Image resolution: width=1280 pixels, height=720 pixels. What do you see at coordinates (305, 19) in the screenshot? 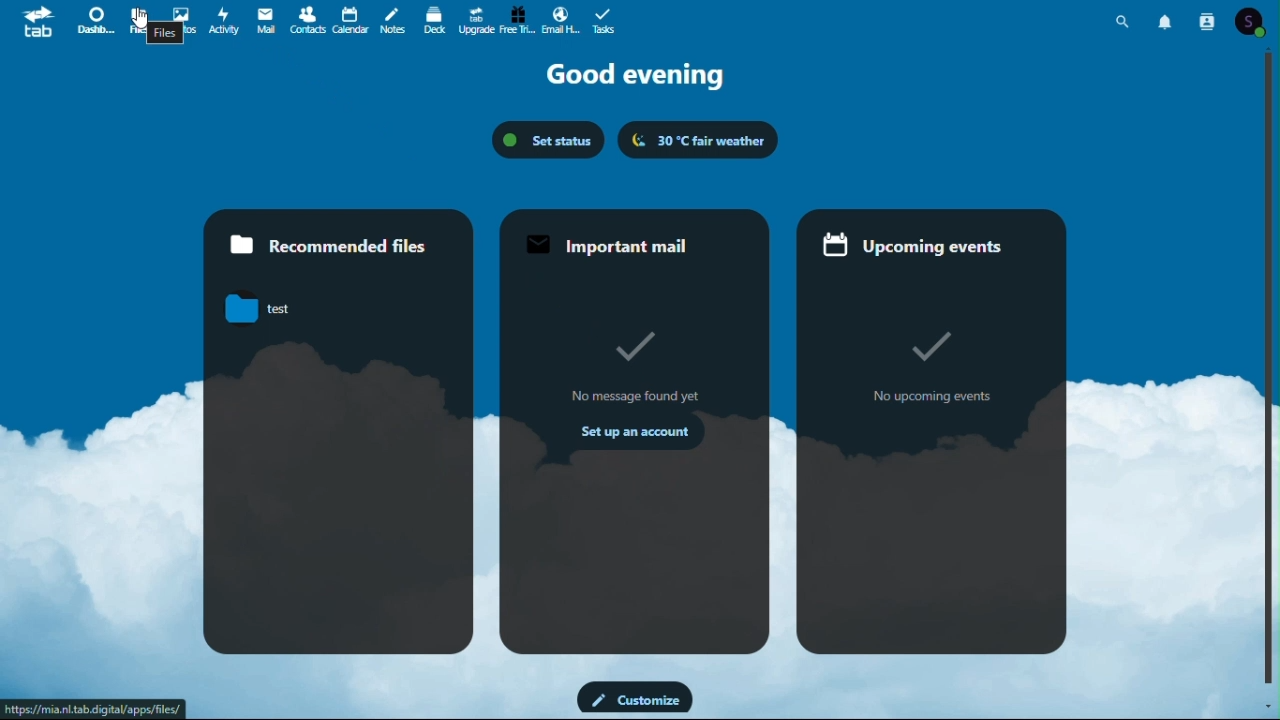
I see `Contacts` at bounding box center [305, 19].